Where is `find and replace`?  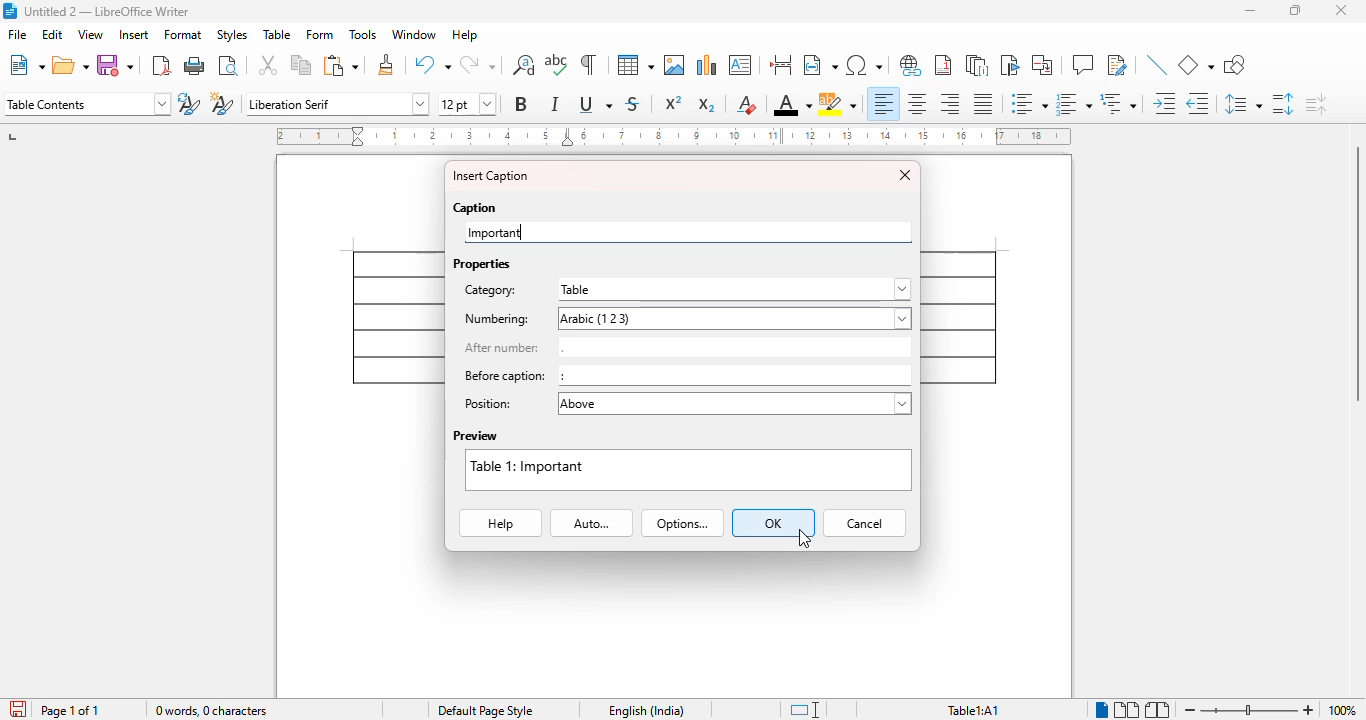 find and replace is located at coordinates (523, 65).